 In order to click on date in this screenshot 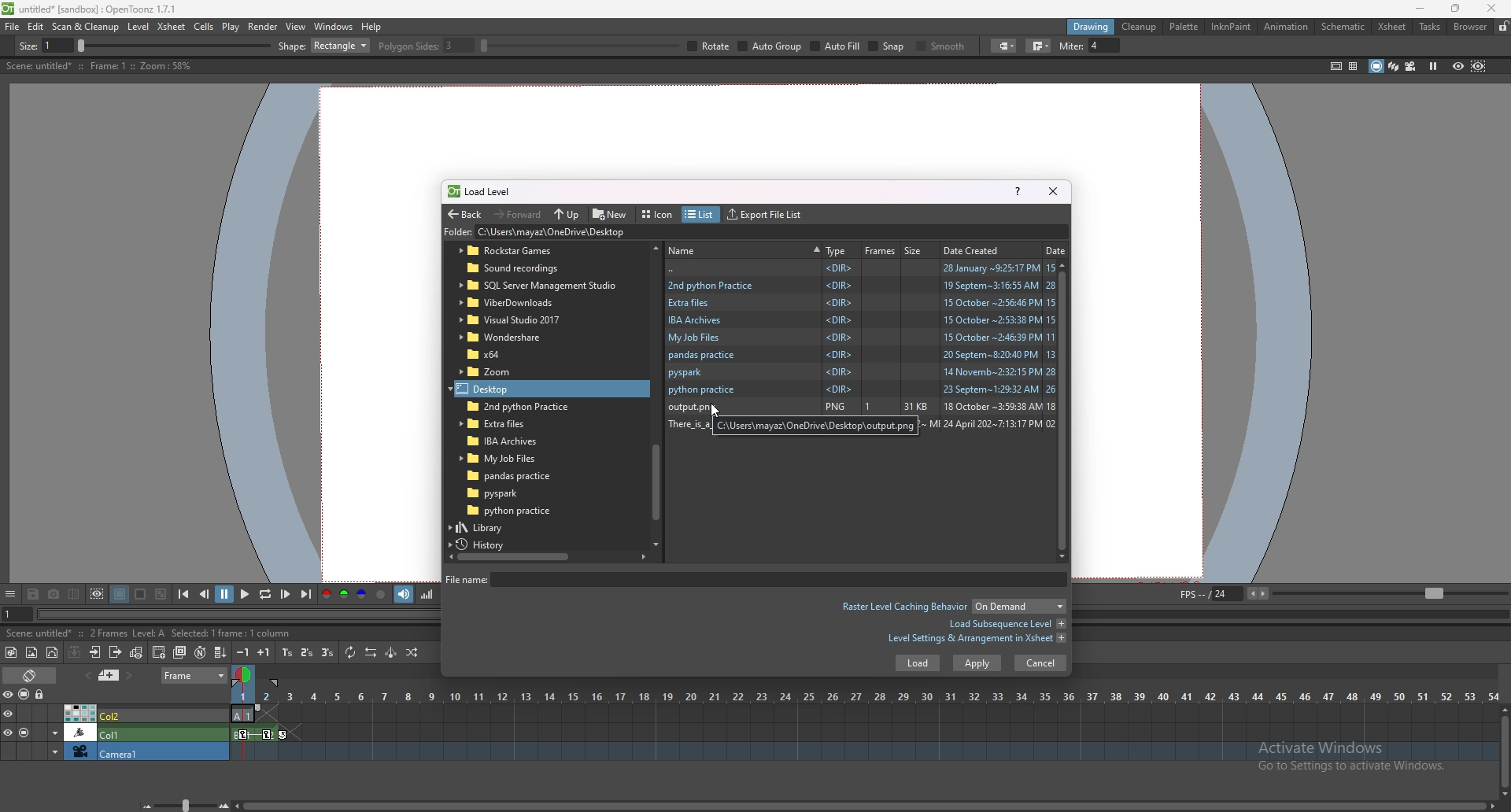, I will do `click(1056, 249)`.